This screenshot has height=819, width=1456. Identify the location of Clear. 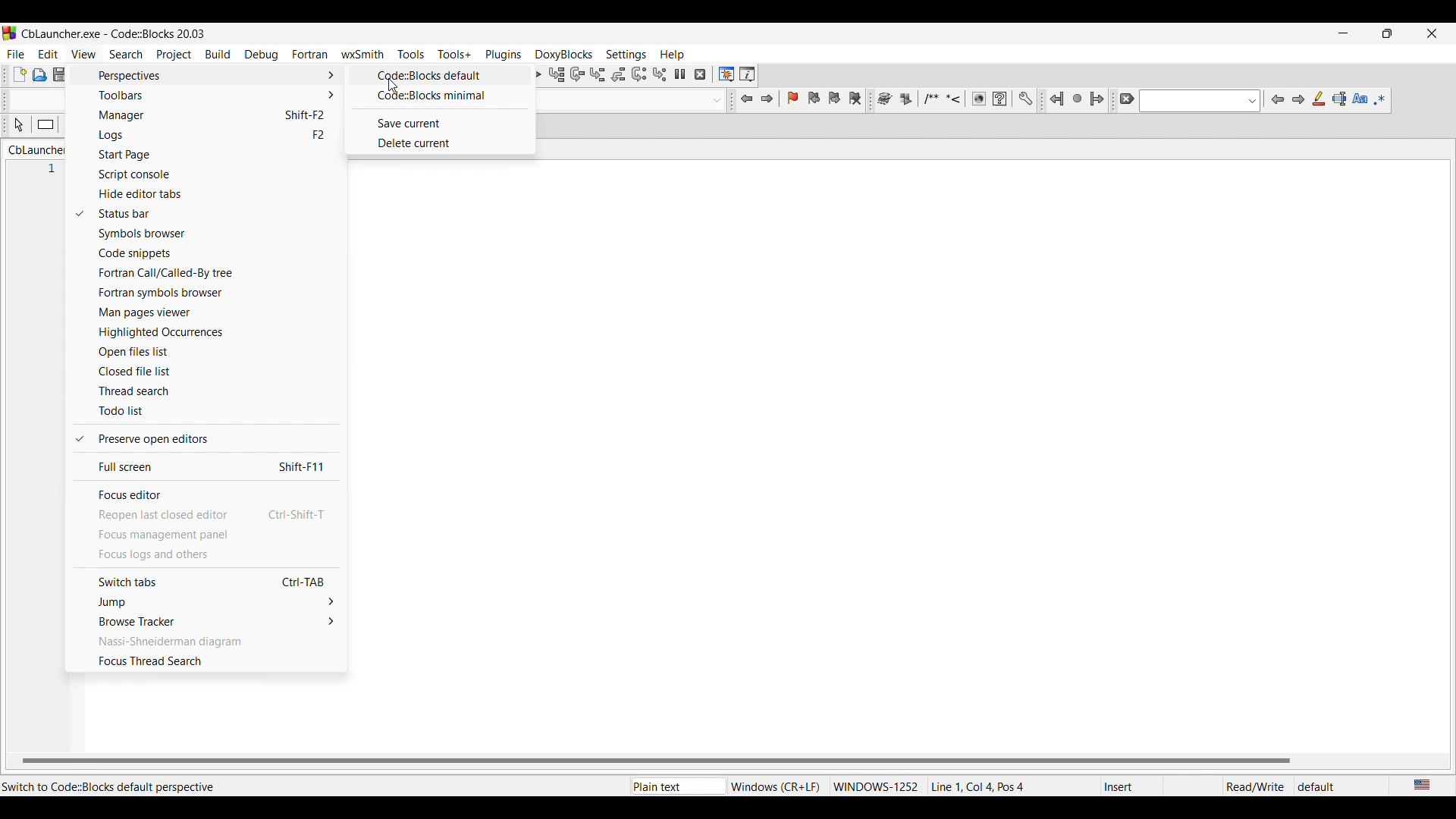
(1127, 99).